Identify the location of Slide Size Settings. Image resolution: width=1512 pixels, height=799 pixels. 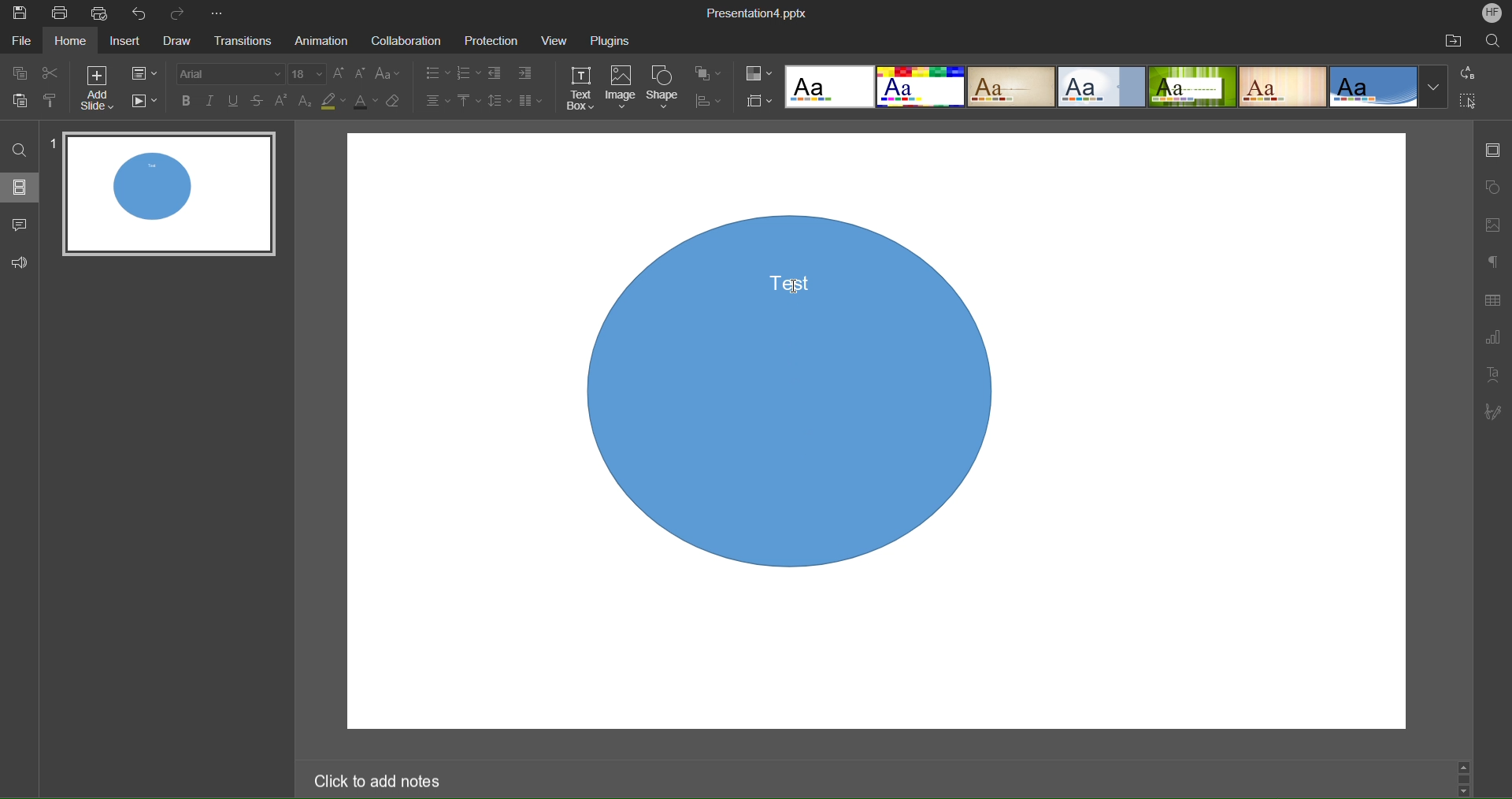
(761, 102).